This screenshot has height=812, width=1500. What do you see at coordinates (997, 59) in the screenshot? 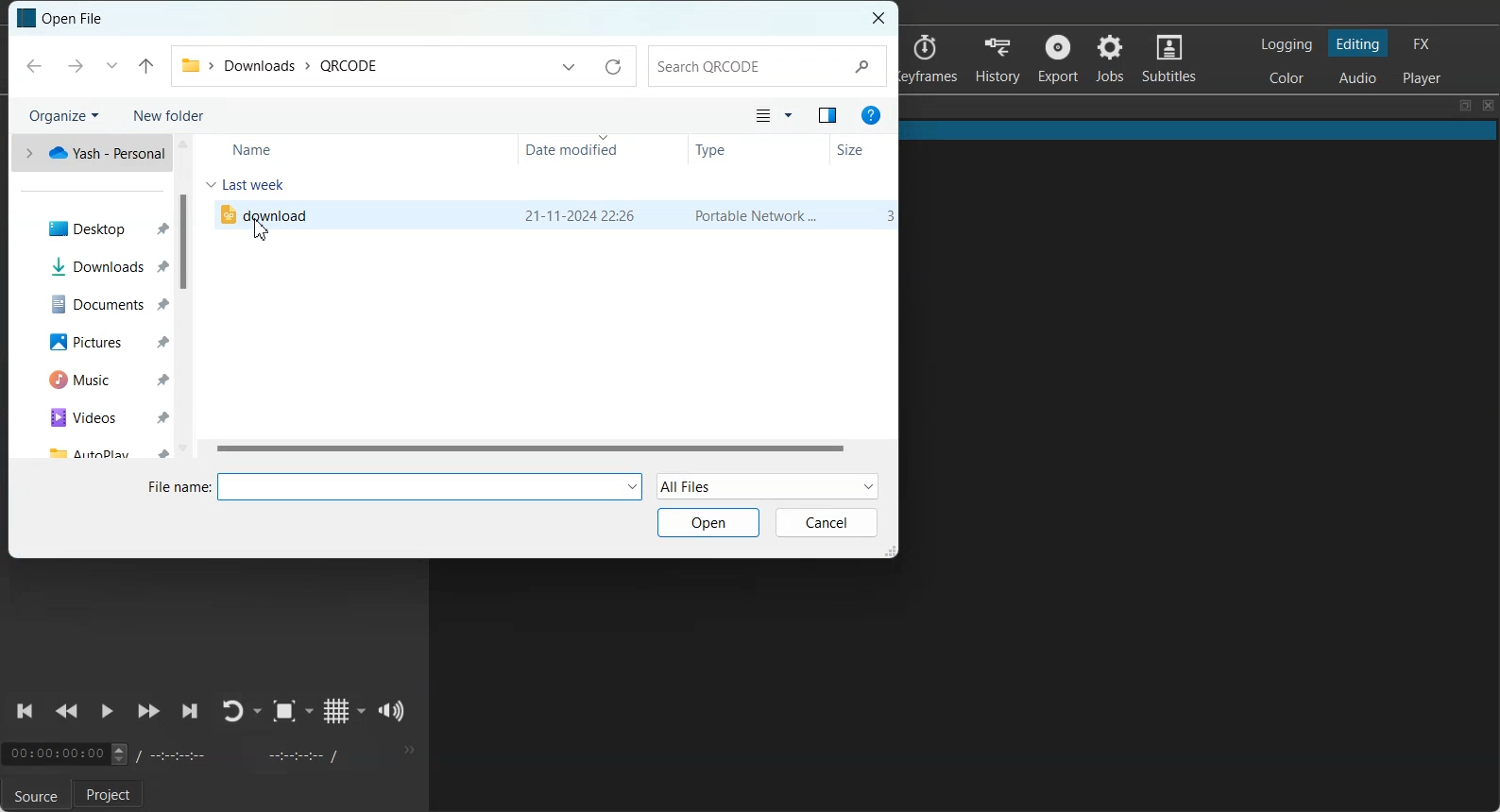
I see `History` at bounding box center [997, 59].